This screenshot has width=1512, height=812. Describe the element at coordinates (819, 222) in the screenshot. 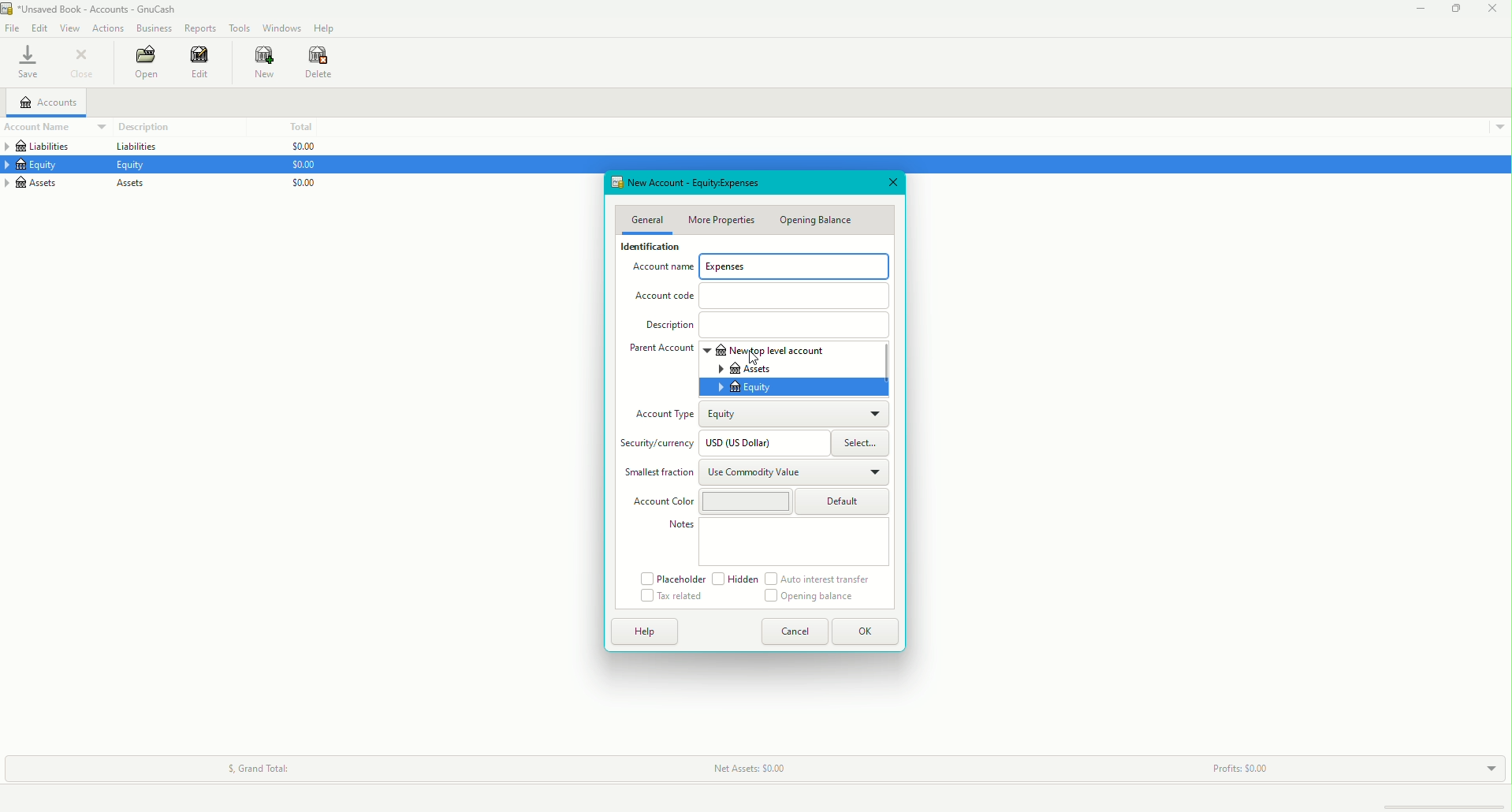

I see `Opening Balance` at that location.